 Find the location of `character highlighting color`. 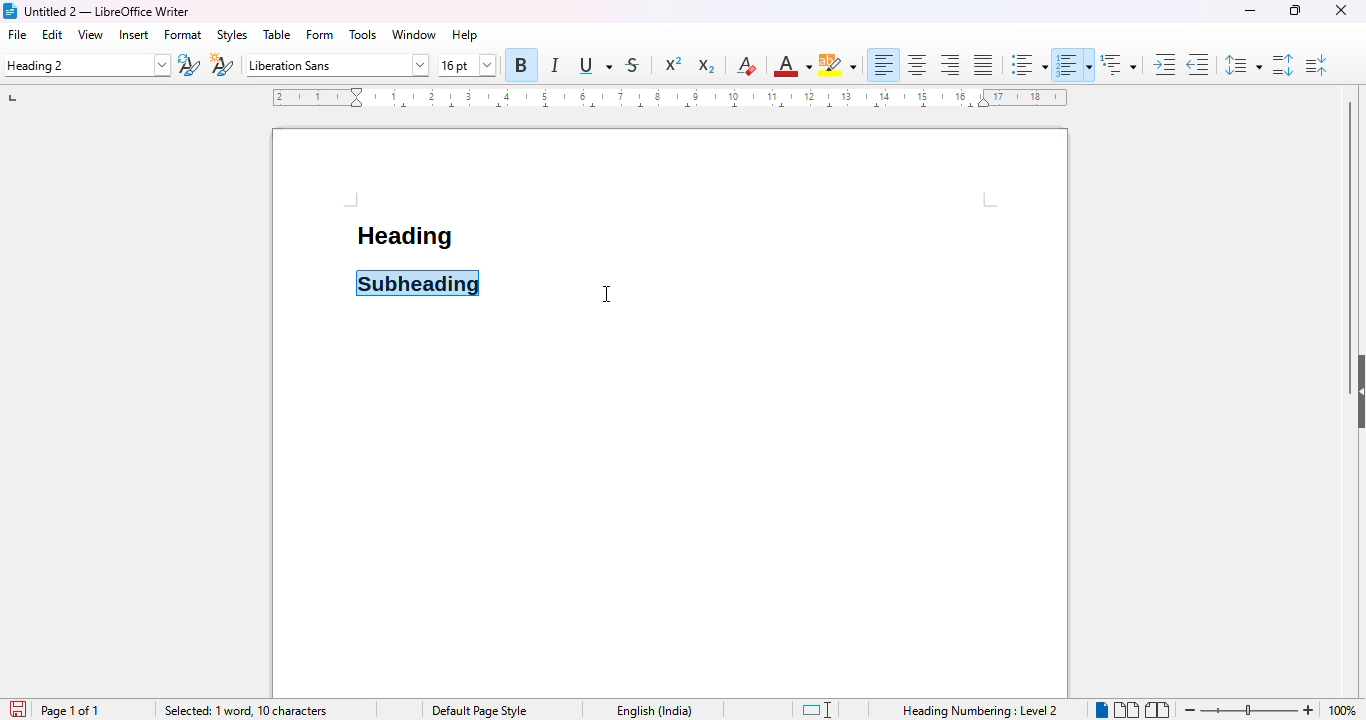

character highlighting color is located at coordinates (837, 65).